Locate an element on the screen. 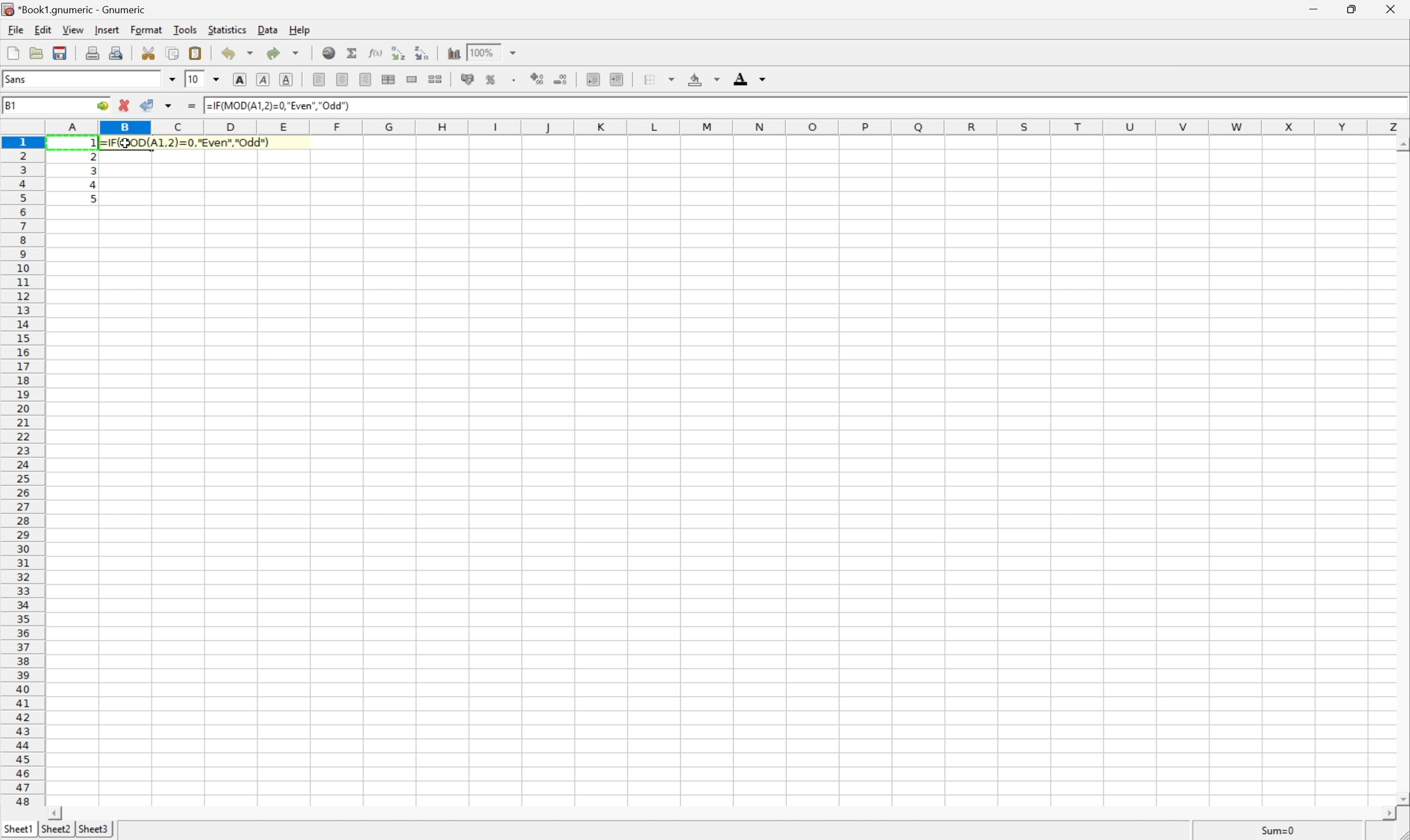 Image resolution: width=1410 pixels, height=840 pixels. Increase the decimals displayed is located at coordinates (539, 79).